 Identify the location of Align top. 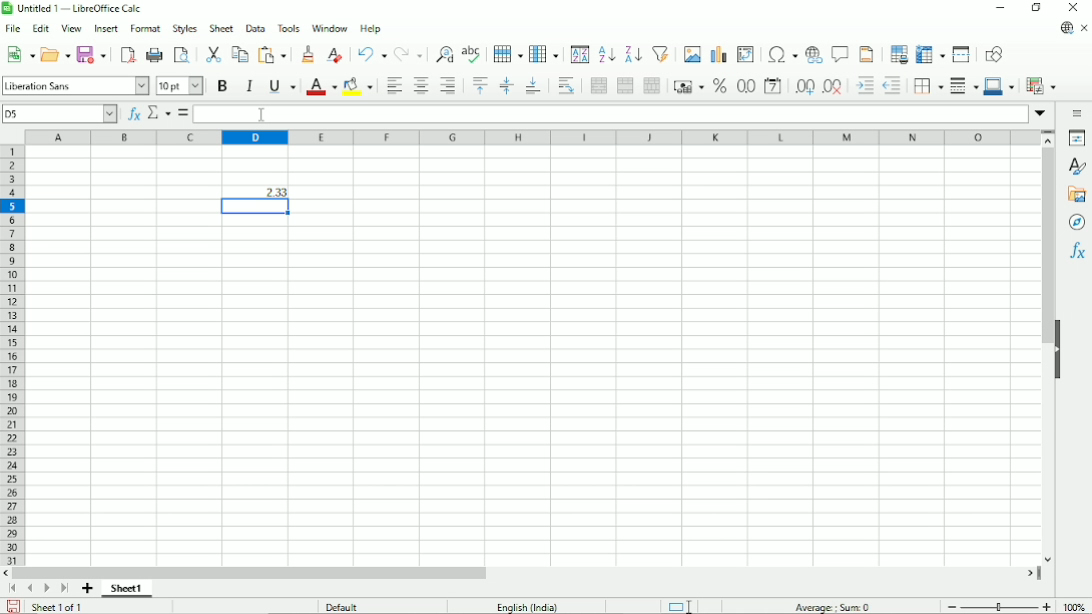
(481, 86).